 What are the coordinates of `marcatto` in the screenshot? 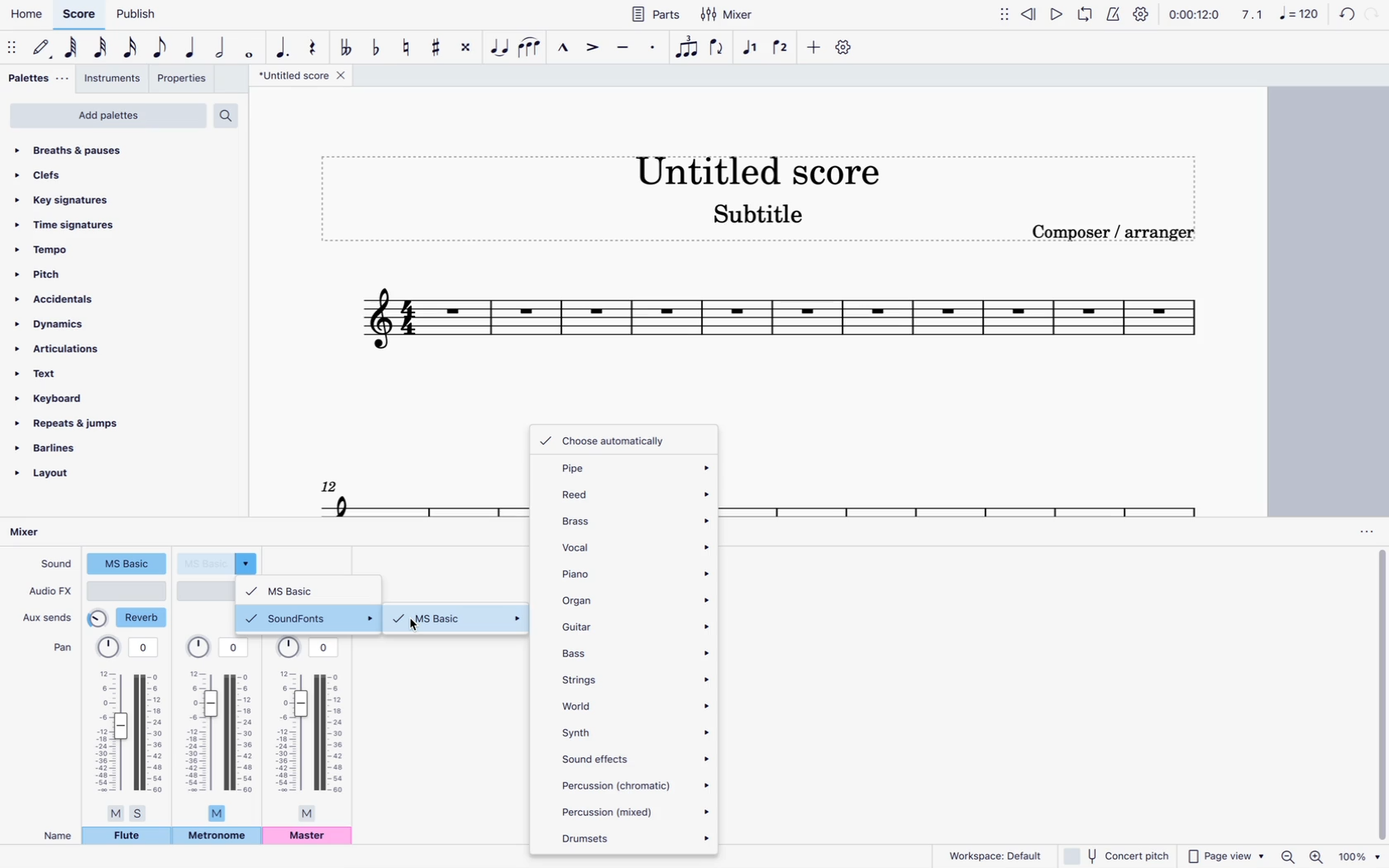 It's located at (563, 49).